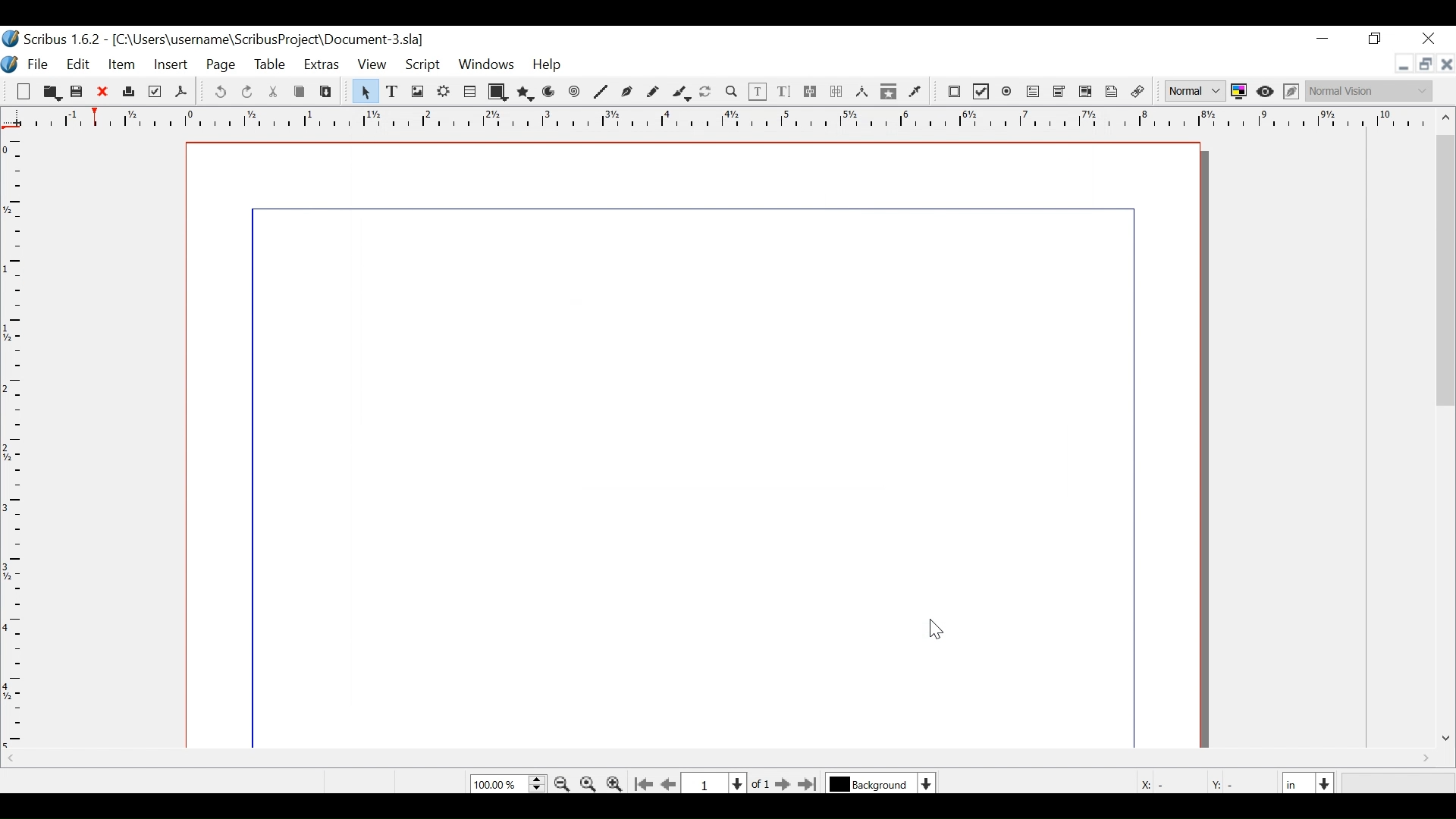 Image resolution: width=1456 pixels, height=819 pixels. Describe the element at coordinates (861, 92) in the screenshot. I see `Measurements` at that location.